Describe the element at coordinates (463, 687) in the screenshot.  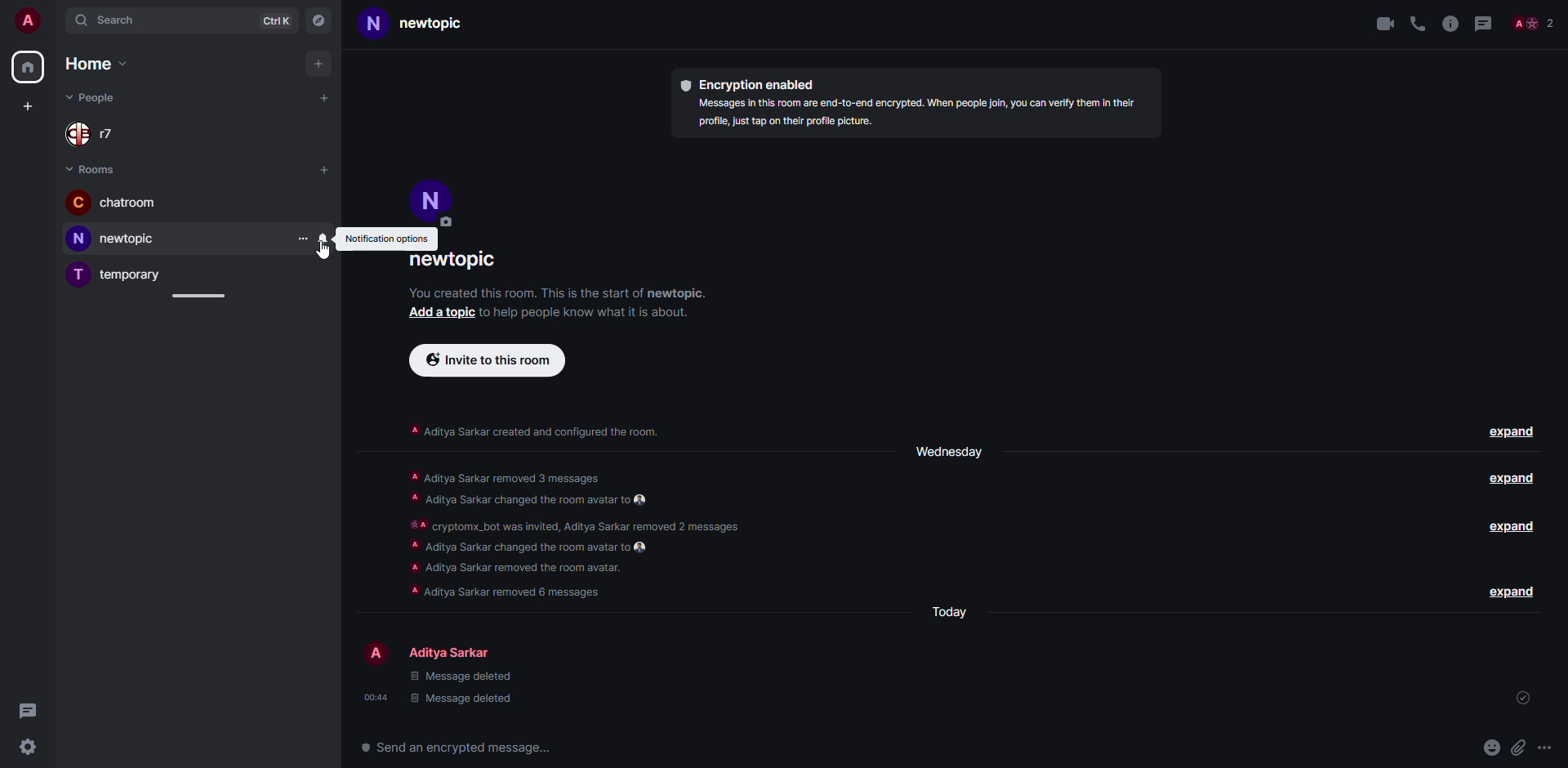
I see `deleted` at that location.